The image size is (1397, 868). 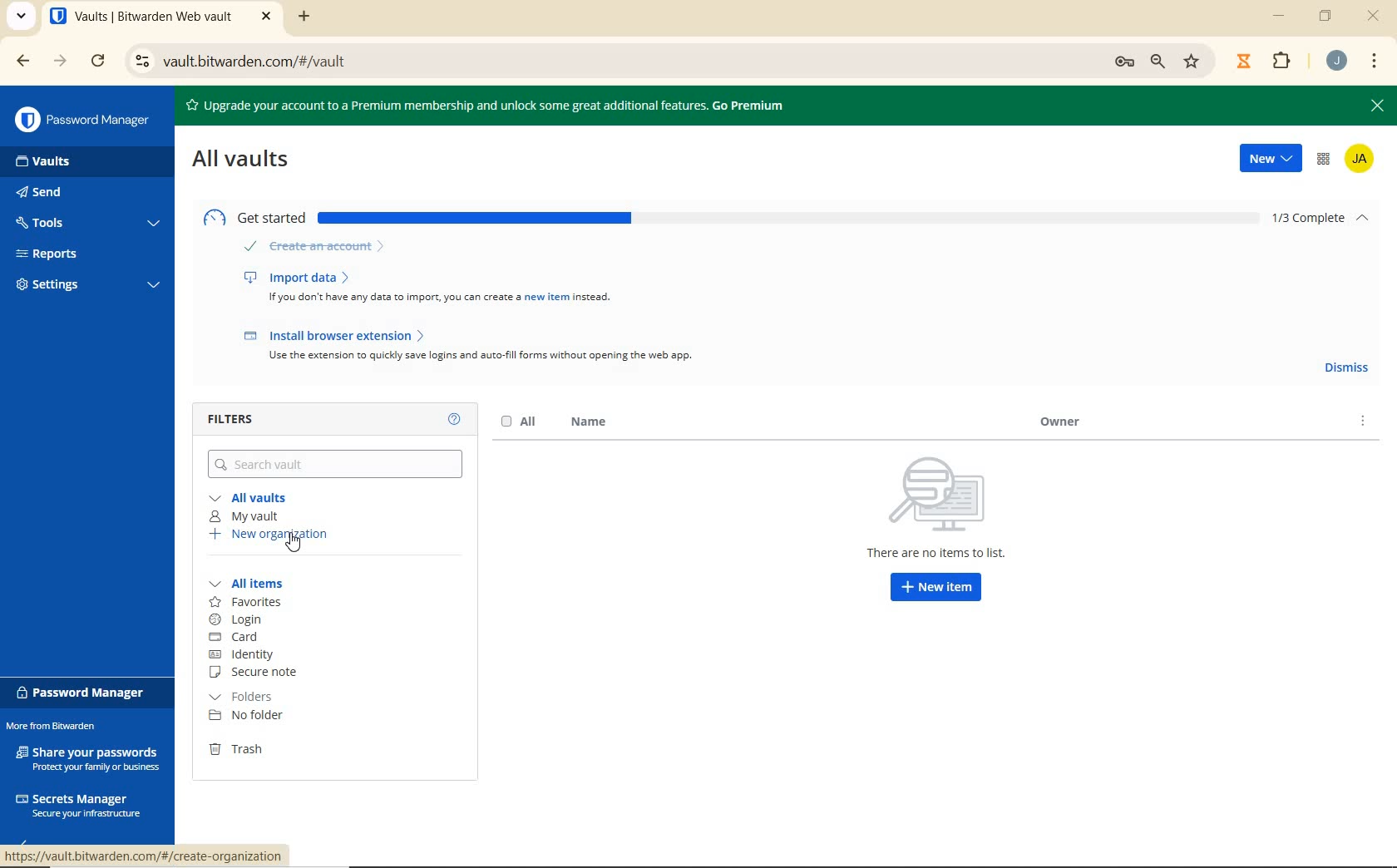 I want to click on close, so click(x=1374, y=17).